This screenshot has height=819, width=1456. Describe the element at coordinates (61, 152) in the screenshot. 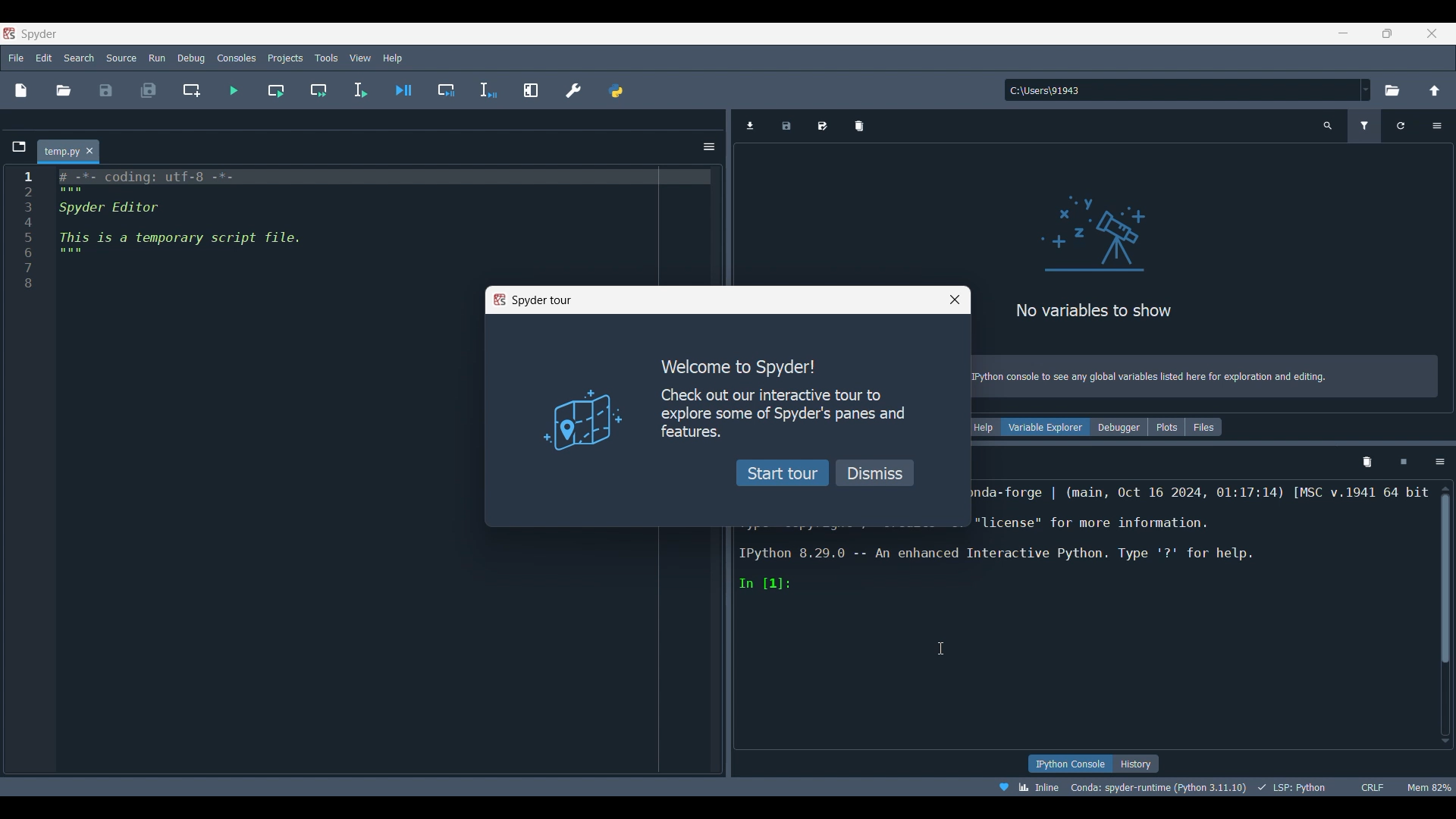

I see `Current tab` at that location.